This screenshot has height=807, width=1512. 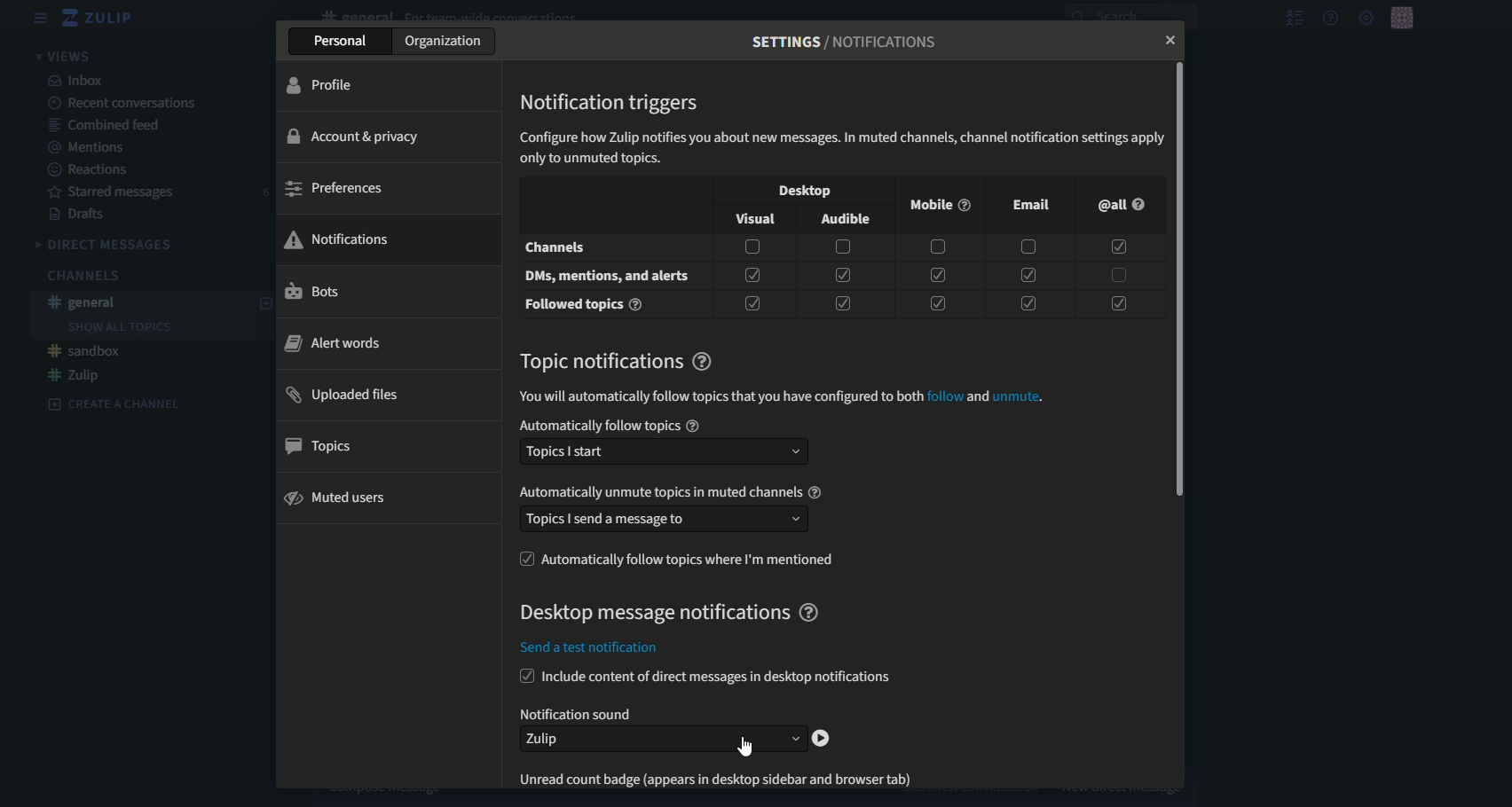 What do you see at coordinates (41, 18) in the screenshot?
I see `menu` at bounding box center [41, 18].